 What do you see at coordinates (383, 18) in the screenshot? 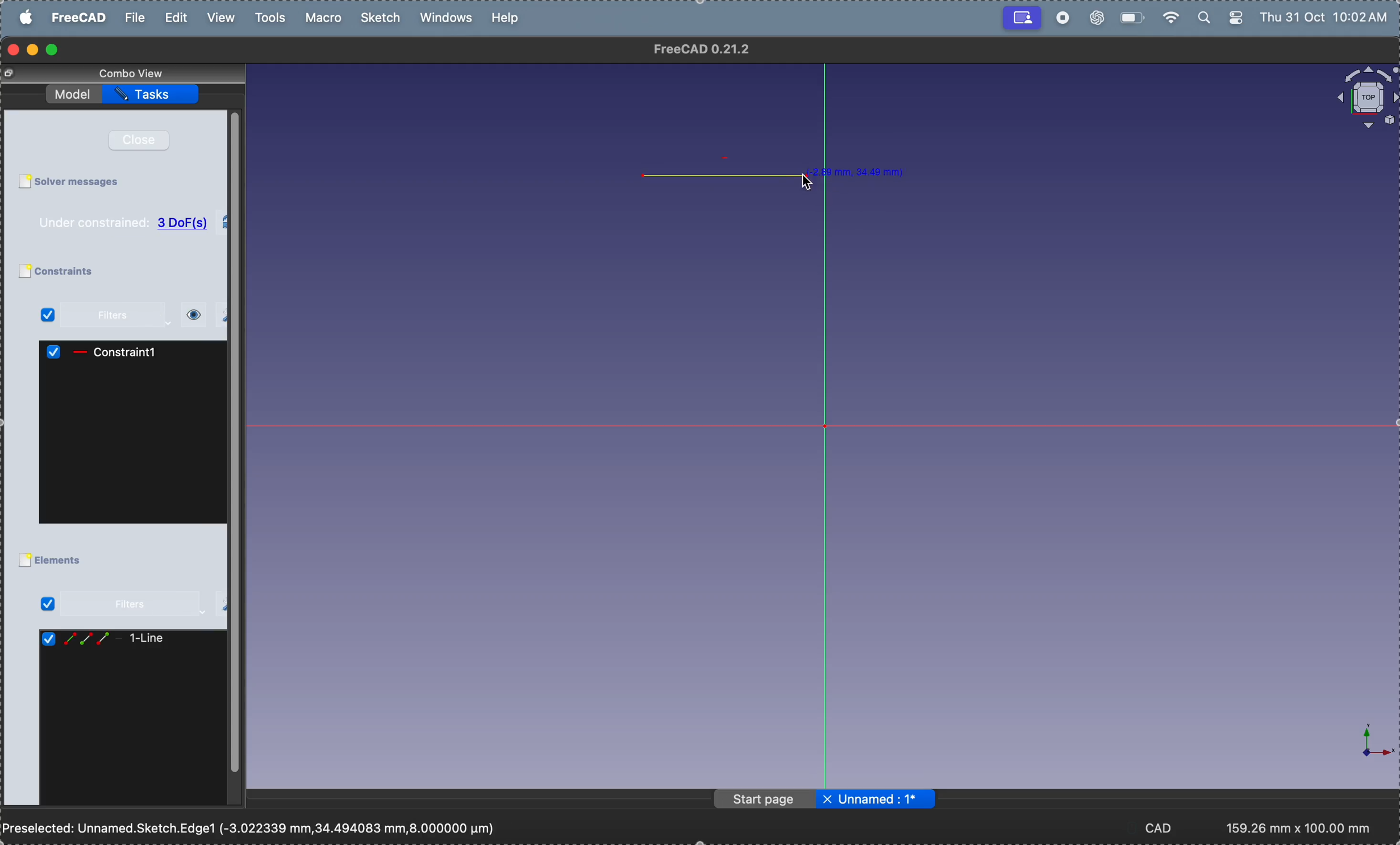
I see `sketch` at bounding box center [383, 18].